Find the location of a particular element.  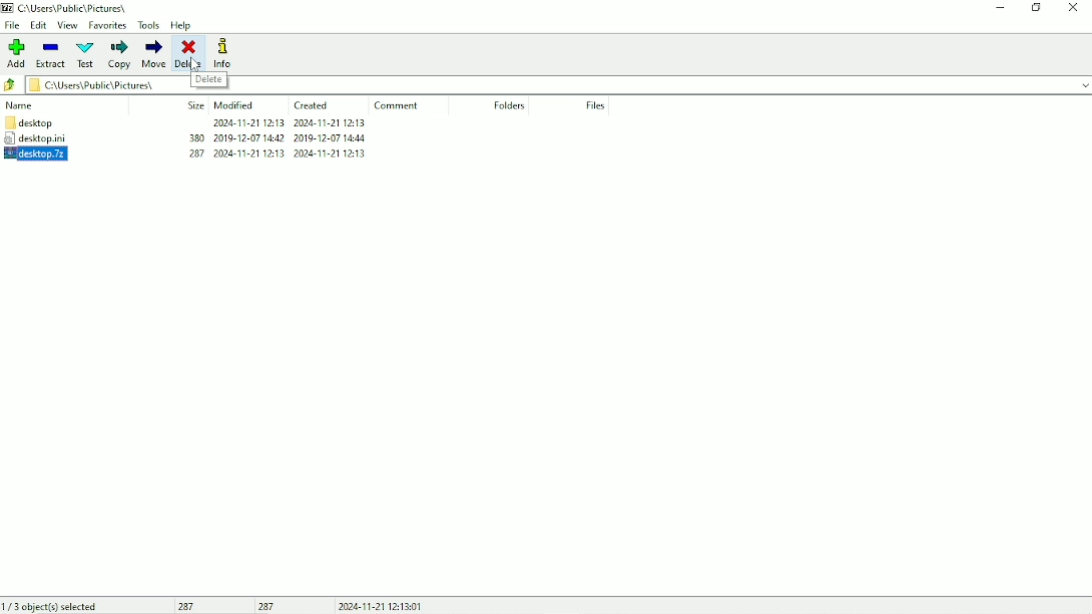

Extract is located at coordinates (52, 55).